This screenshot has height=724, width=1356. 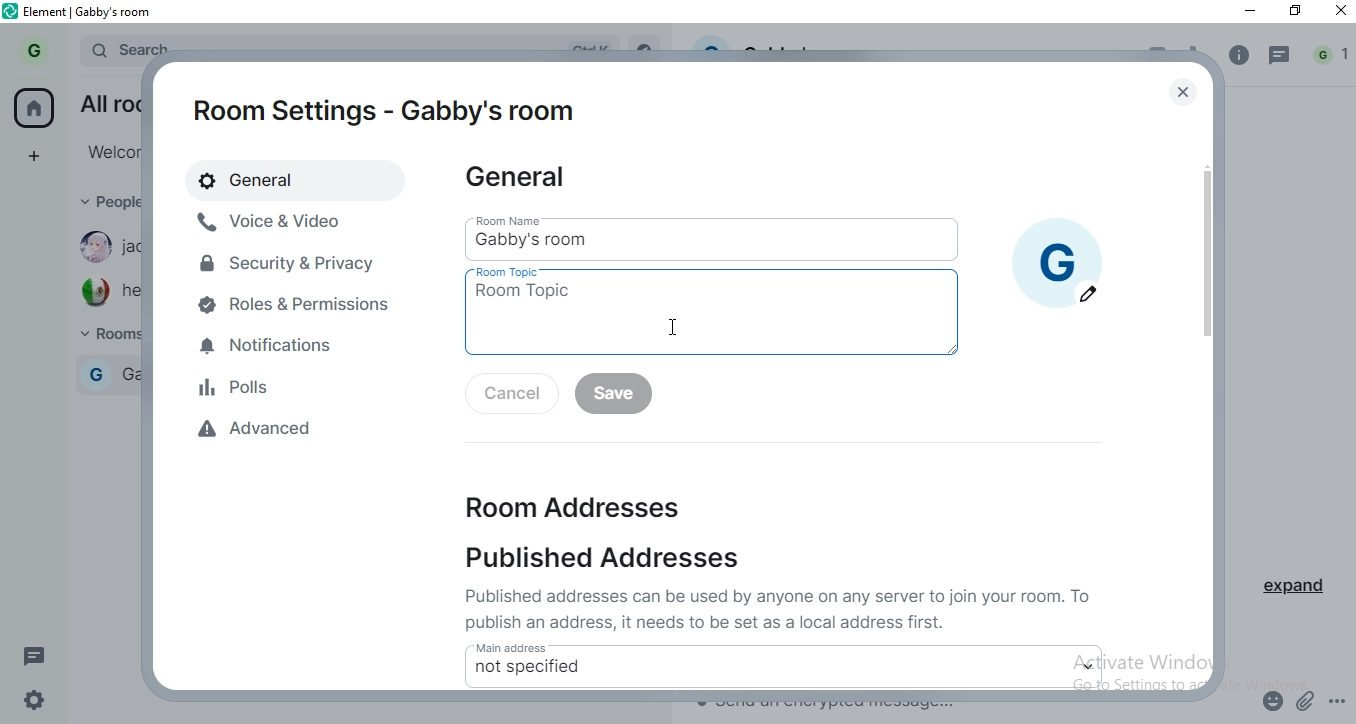 I want to click on profile picture, so click(x=1057, y=248).